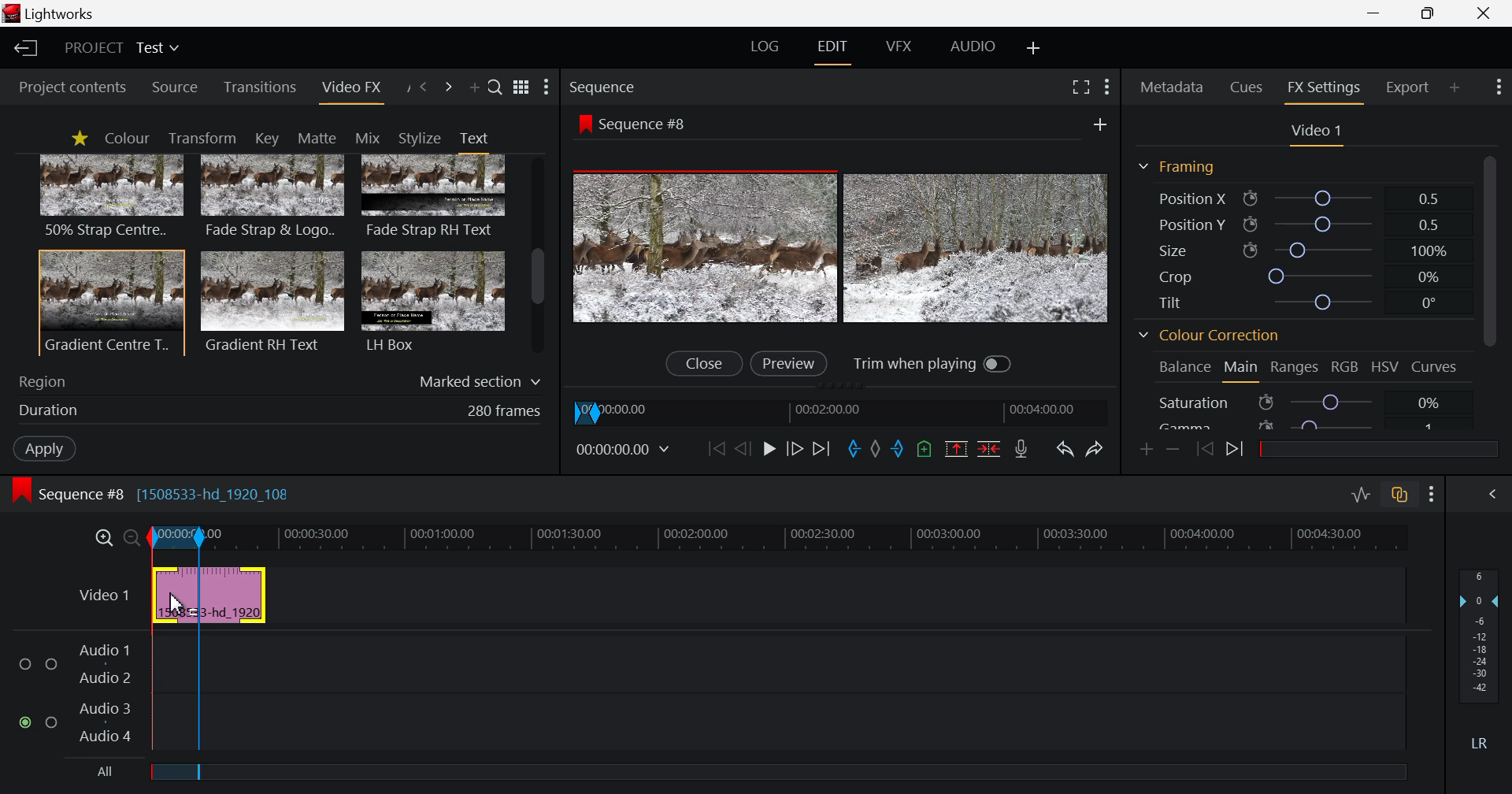 The height and width of the screenshot is (794, 1512). Describe the element at coordinates (1301, 276) in the screenshot. I see `Crop` at that location.